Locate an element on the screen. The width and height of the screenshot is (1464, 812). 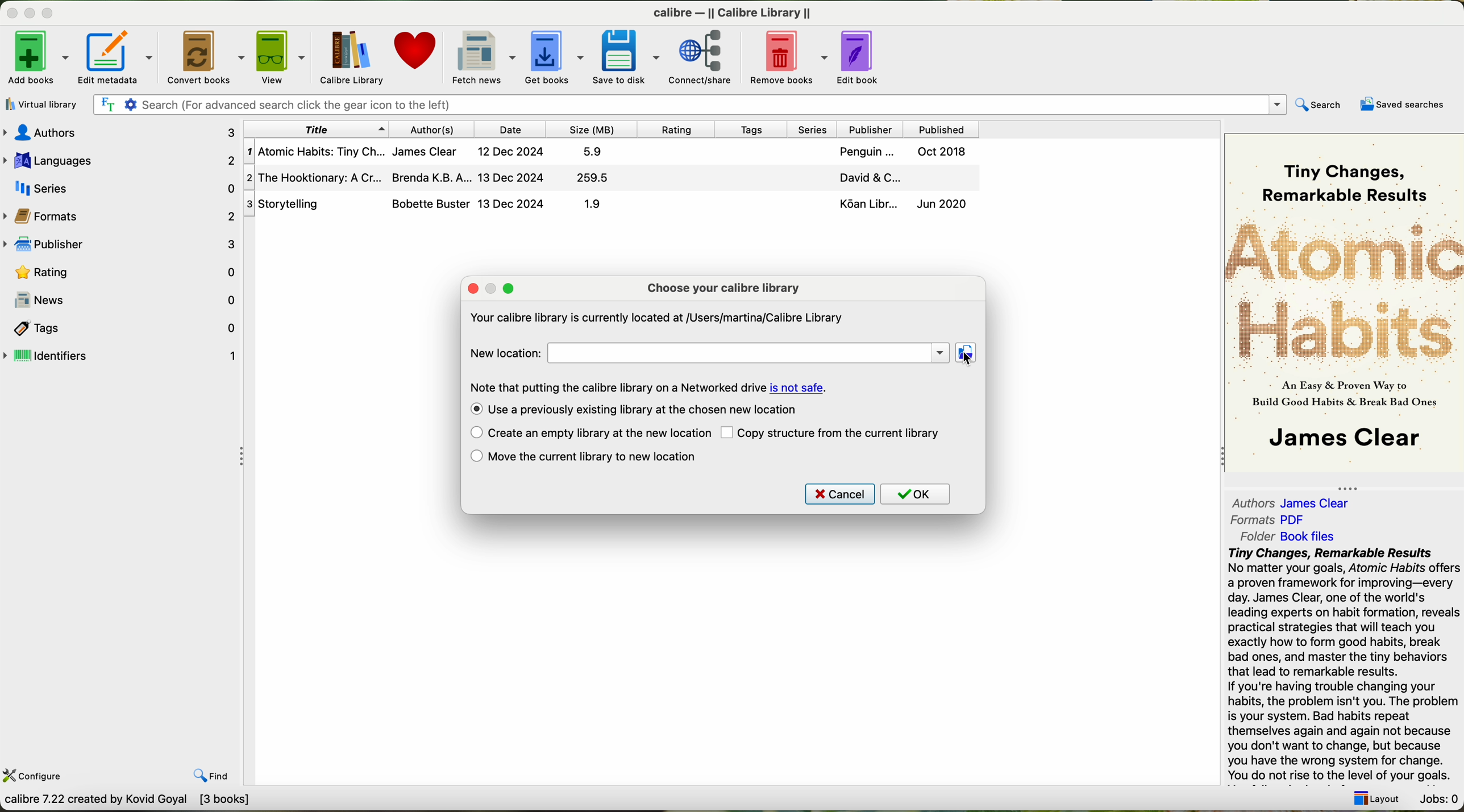
save to disk is located at coordinates (626, 56).